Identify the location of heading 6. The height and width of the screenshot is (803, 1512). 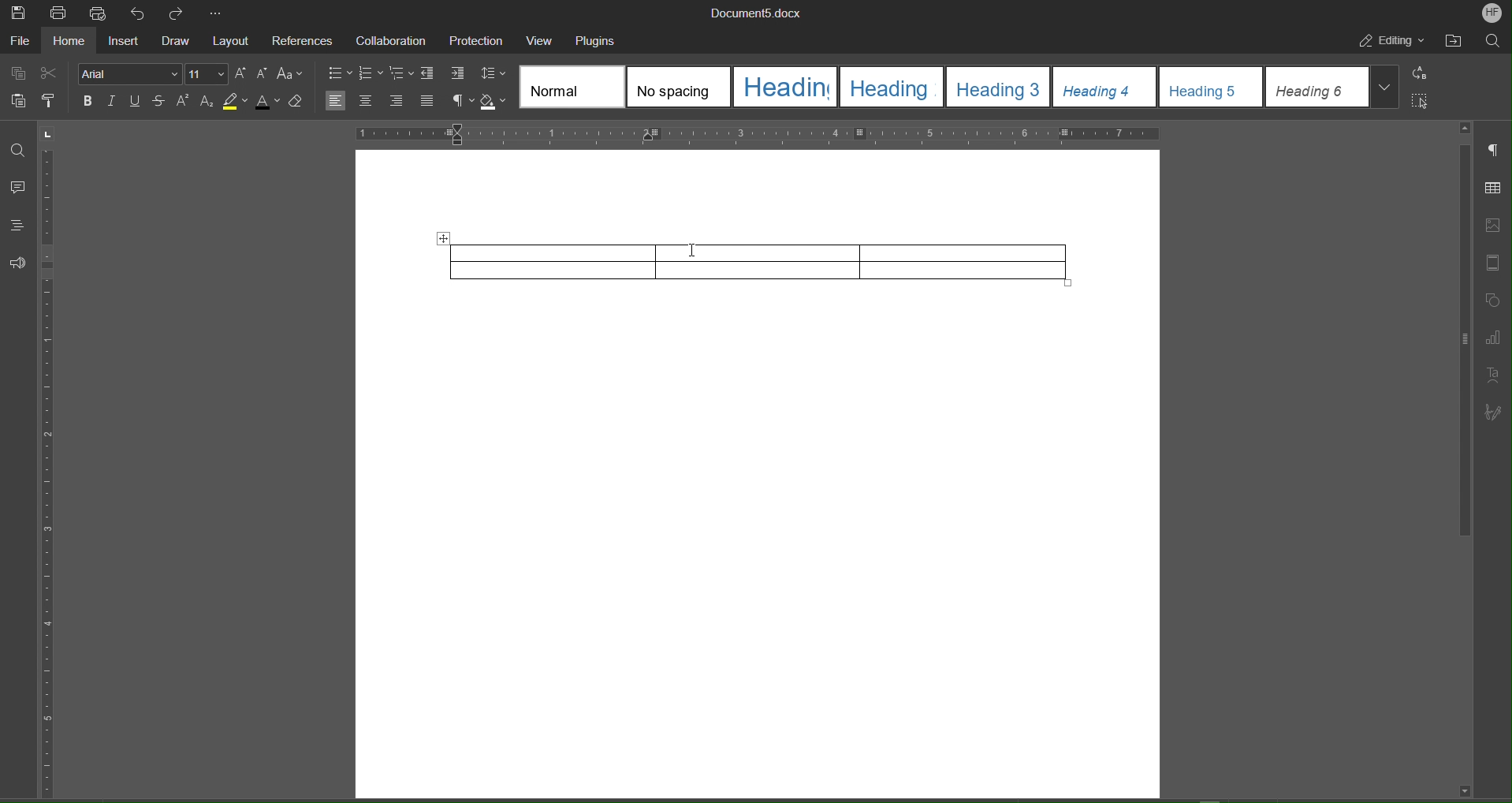
(1317, 87).